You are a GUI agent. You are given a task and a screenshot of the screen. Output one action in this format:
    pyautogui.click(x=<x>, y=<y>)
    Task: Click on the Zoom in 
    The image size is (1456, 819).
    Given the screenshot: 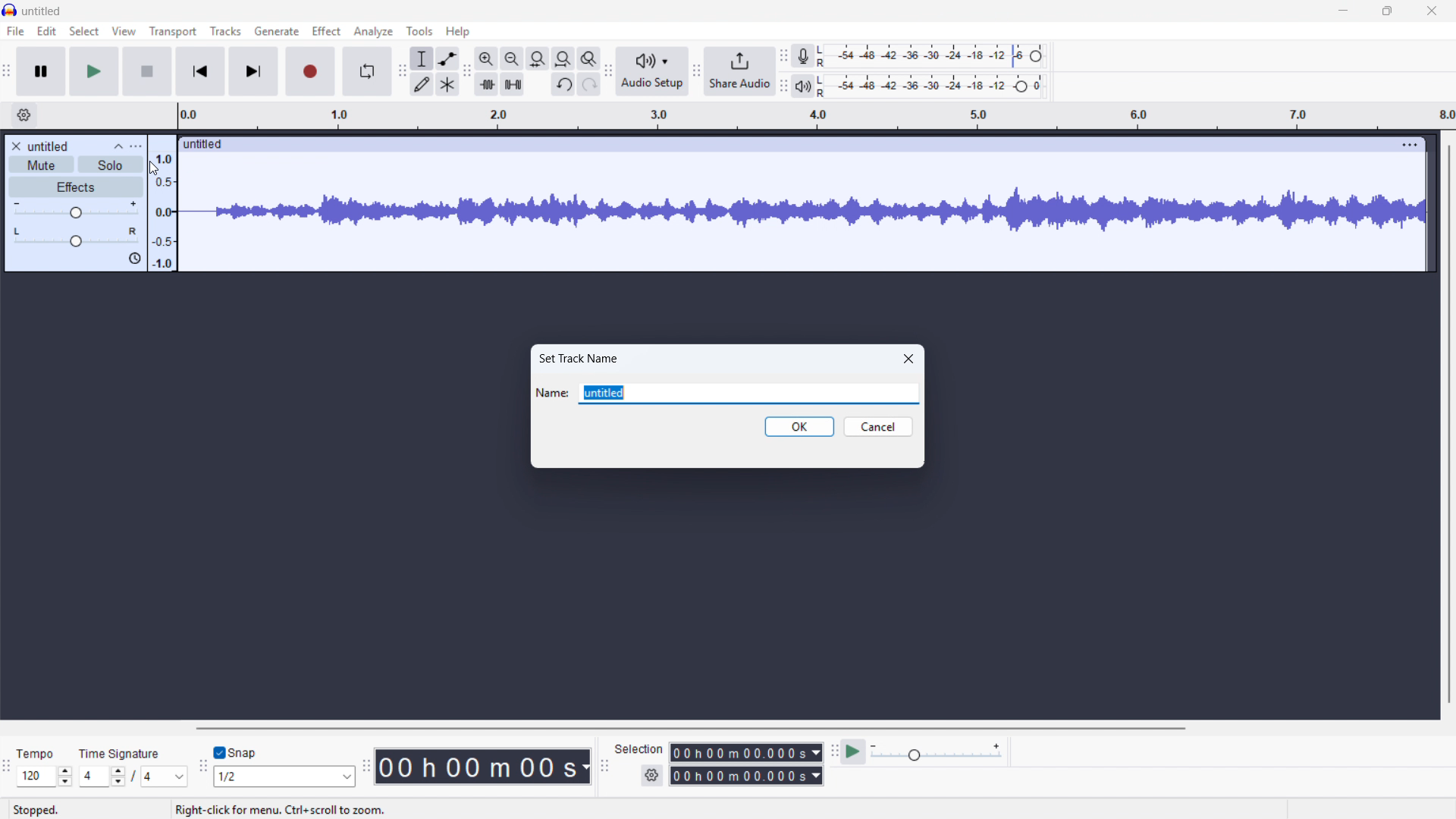 What is the action you would take?
    pyautogui.click(x=487, y=58)
    